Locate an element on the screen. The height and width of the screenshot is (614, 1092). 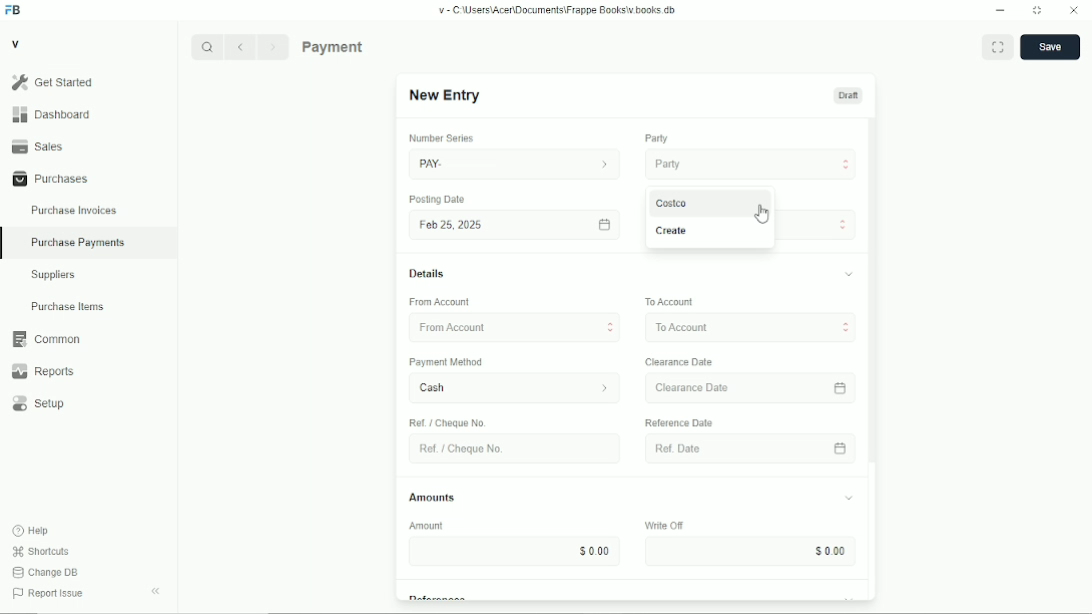
Fob 25,2025 is located at coordinates (511, 224).